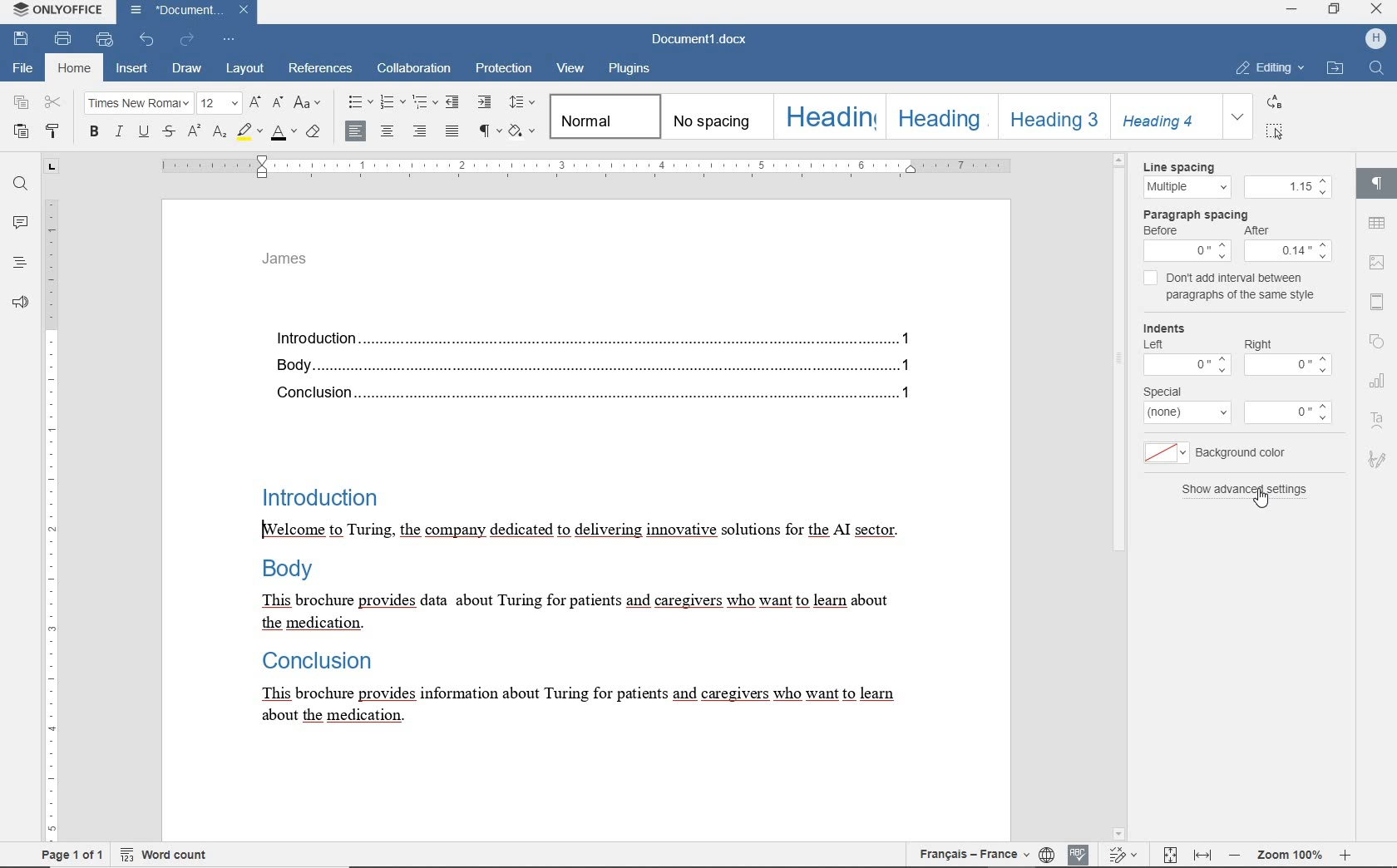 The width and height of the screenshot is (1397, 868). Describe the element at coordinates (243, 70) in the screenshot. I see `layout` at that location.